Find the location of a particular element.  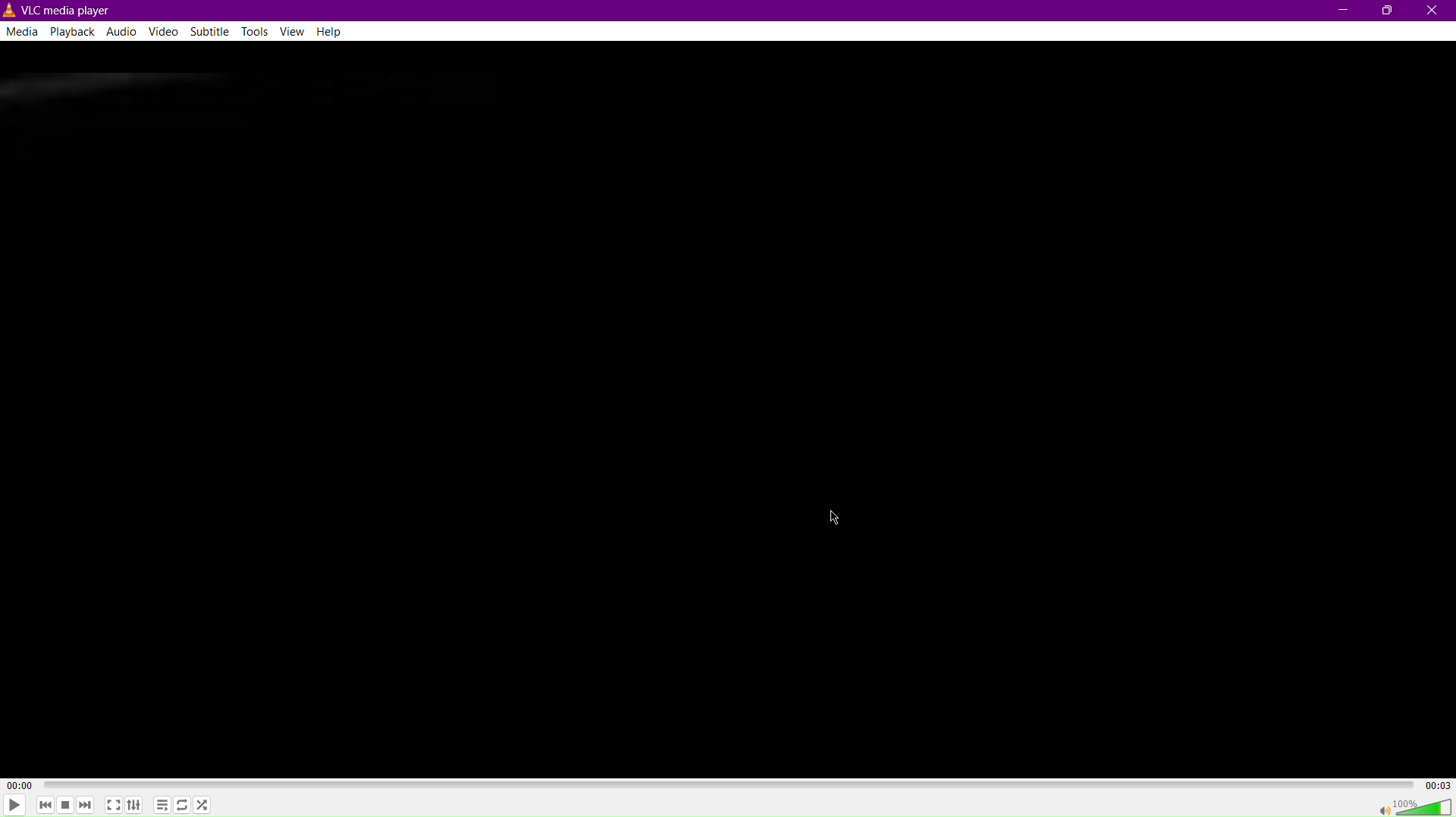

Random is located at coordinates (206, 805).